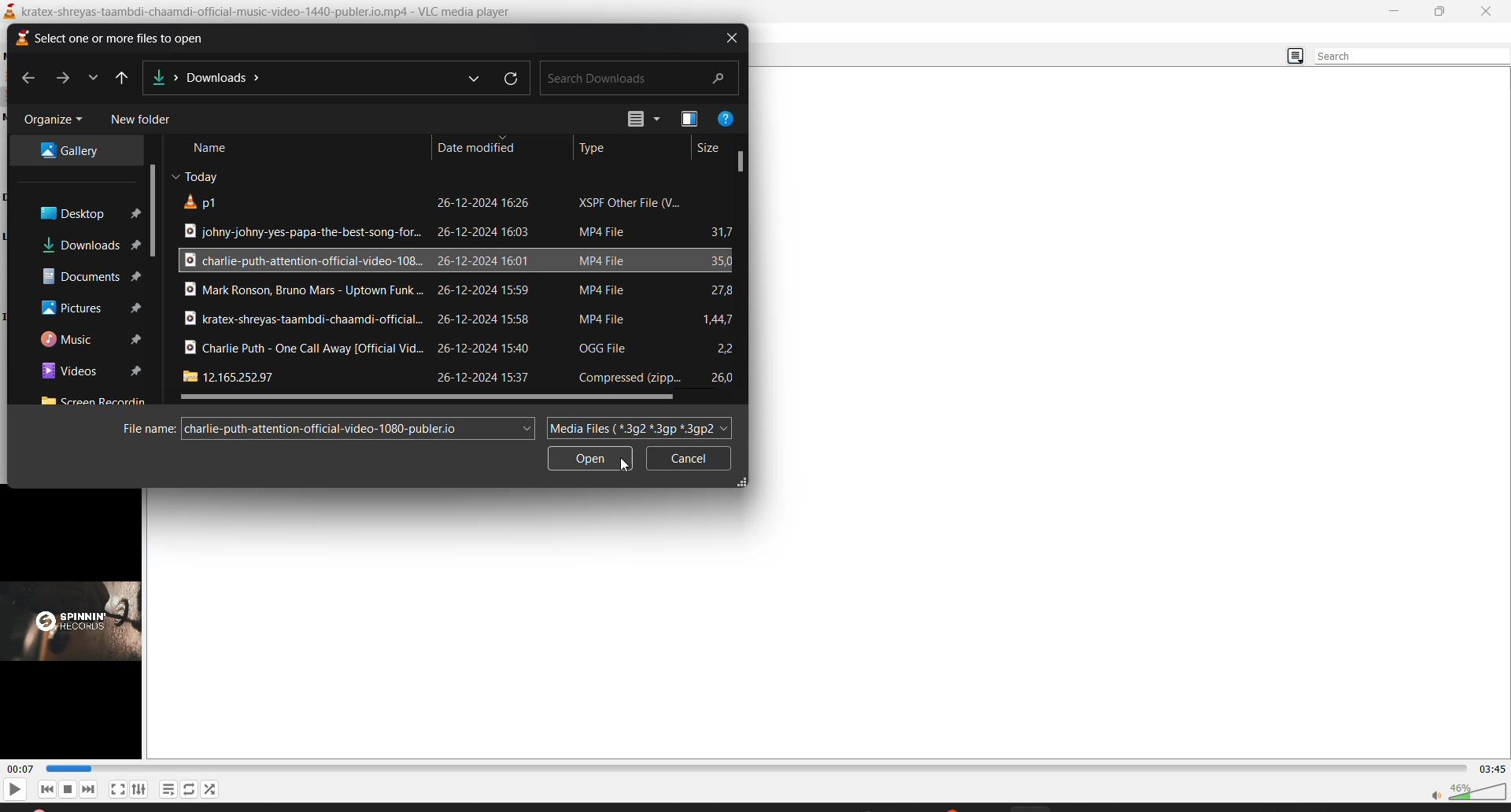  Describe the element at coordinates (605, 348) in the screenshot. I see `file type` at that location.